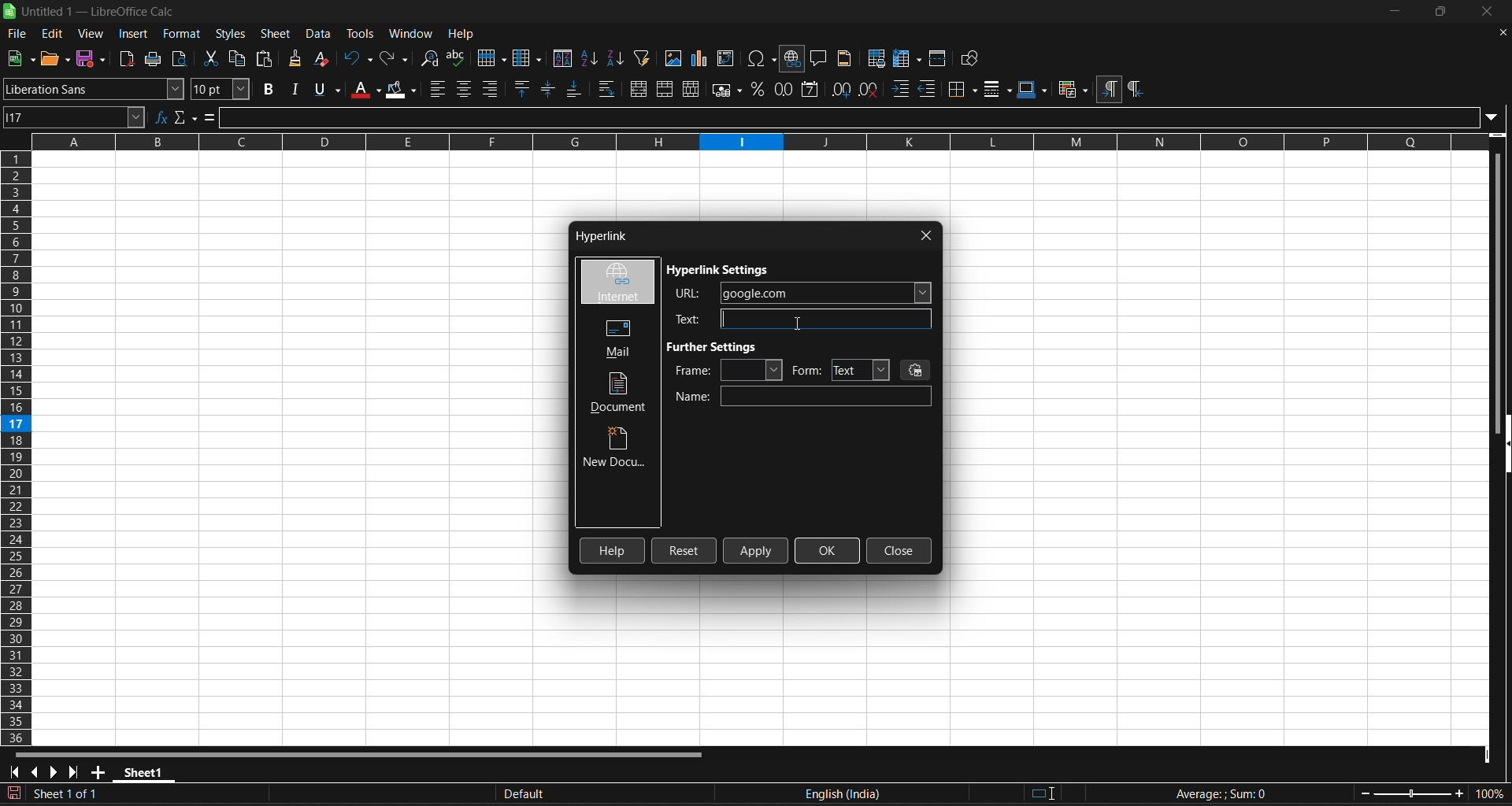 The width and height of the screenshot is (1512, 806). I want to click on name box, so click(76, 117).